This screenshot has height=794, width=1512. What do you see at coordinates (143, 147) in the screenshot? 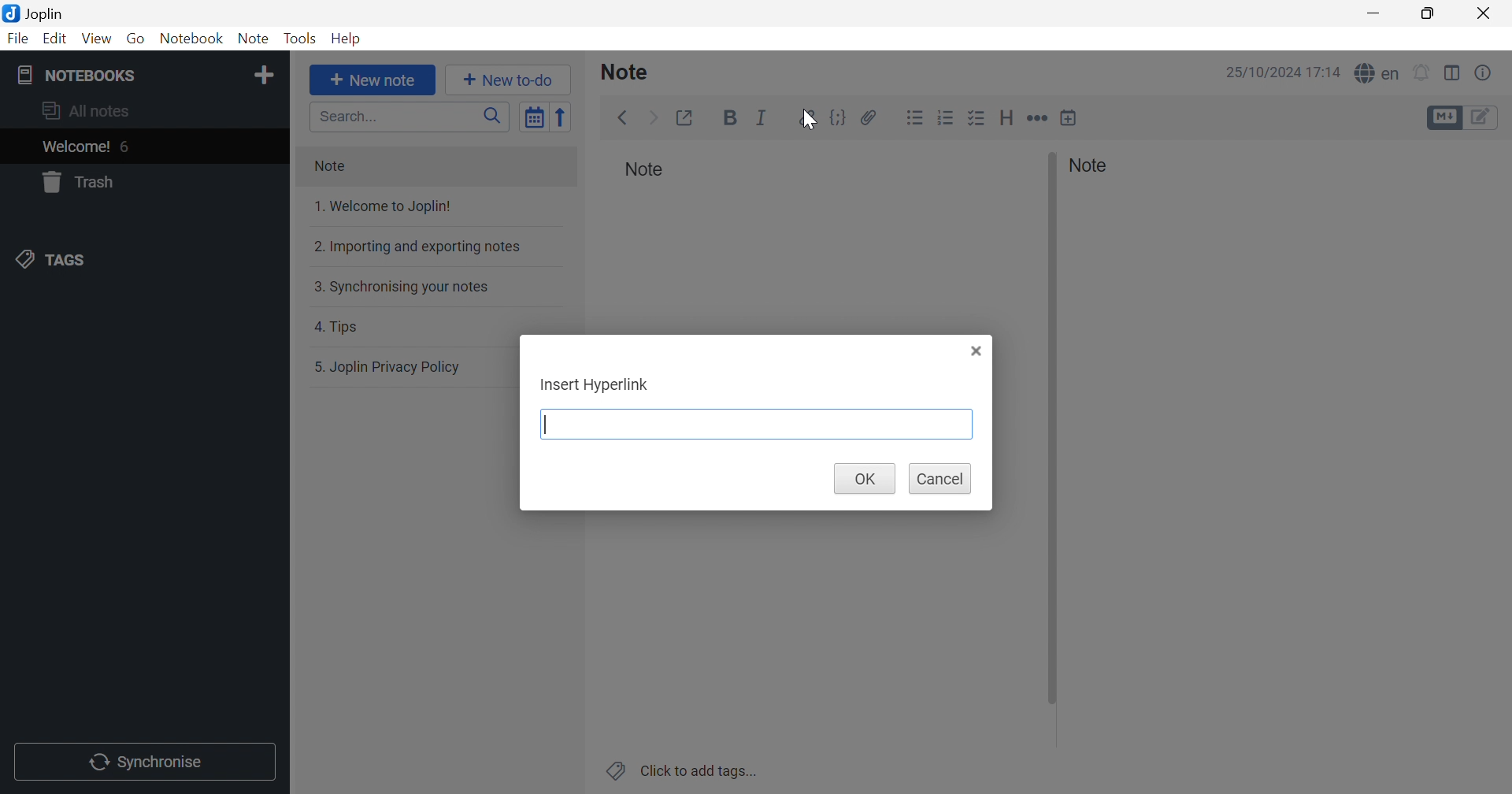
I see `Welcome! 6` at bounding box center [143, 147].